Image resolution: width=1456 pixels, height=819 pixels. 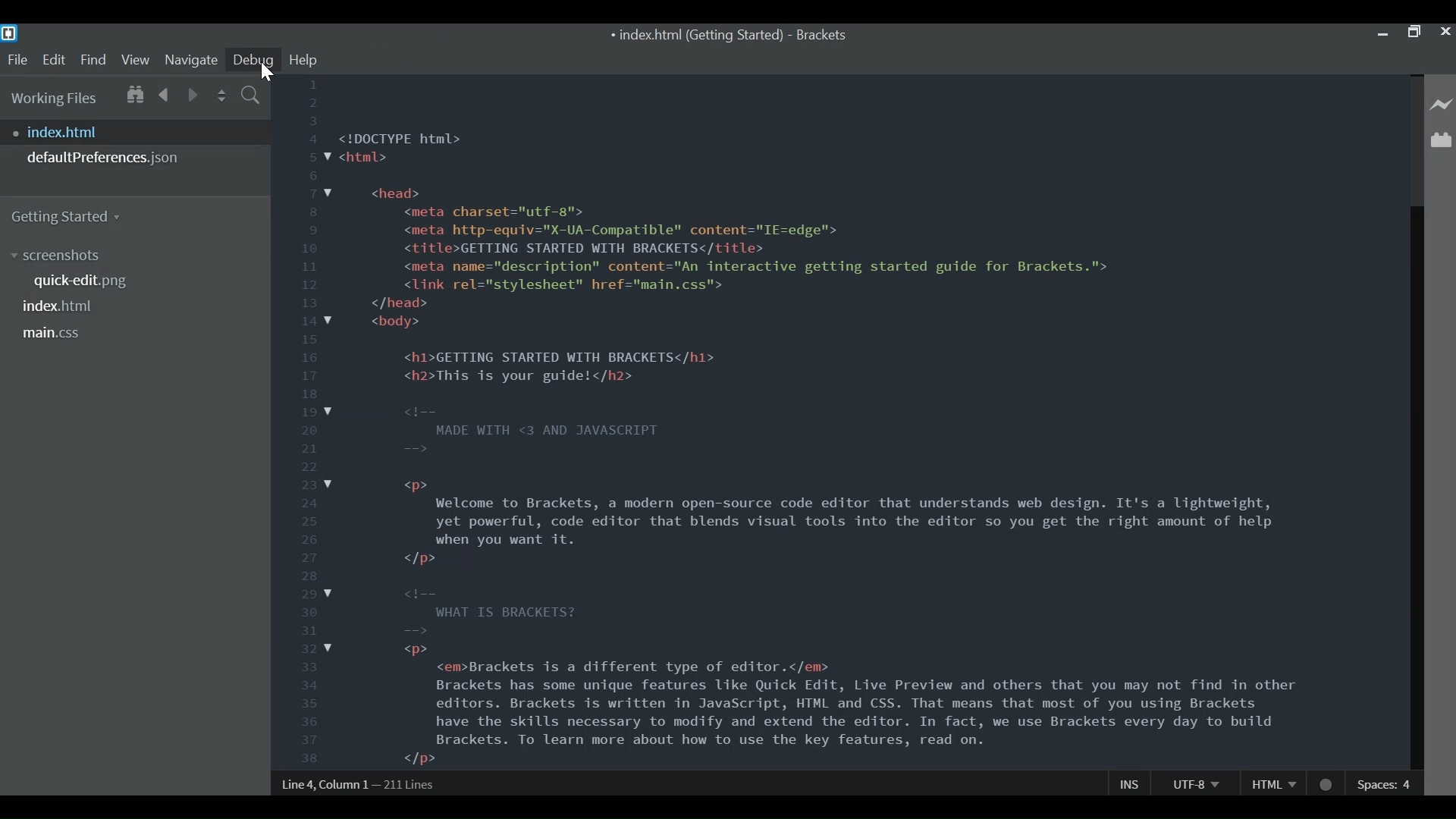 I want to click on File, so click(x=17, y=60).